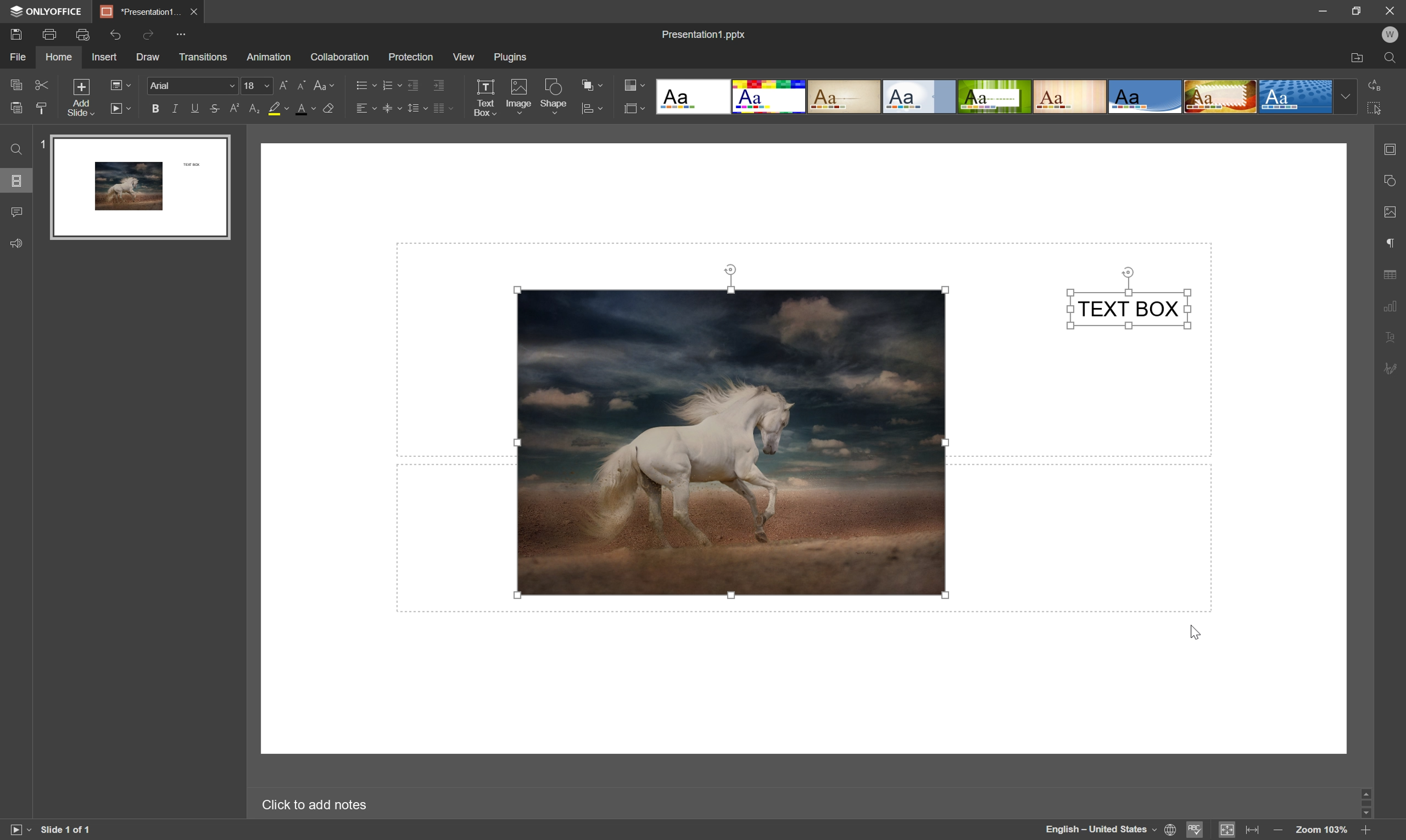  What do you see at coordinates (703, 34) in the screenshot?
I see `presentation.pptx` at bounding box center [703, 34].